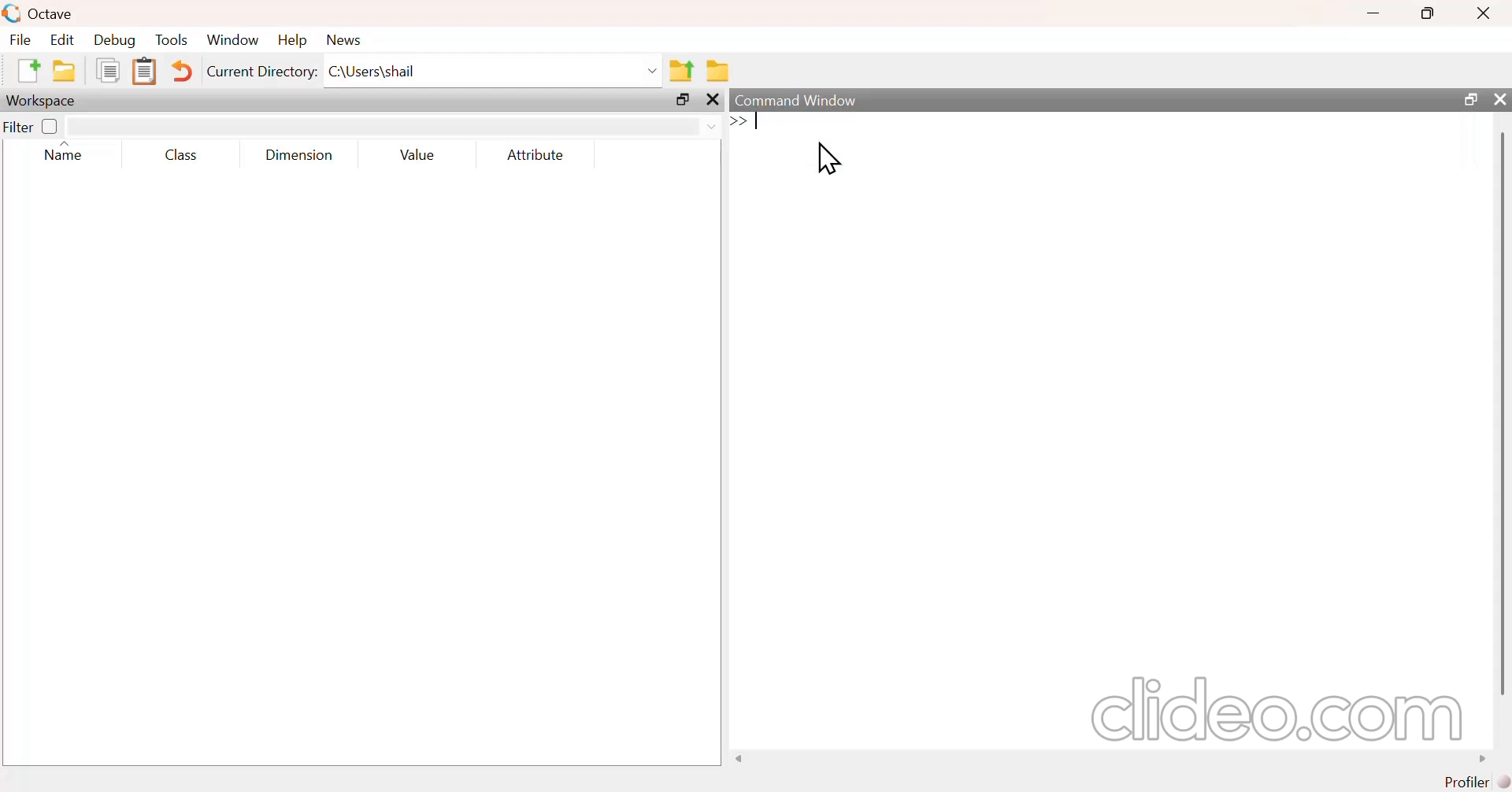 The image size is (1512, 792). I want to click on move right, so click(1477, 757).